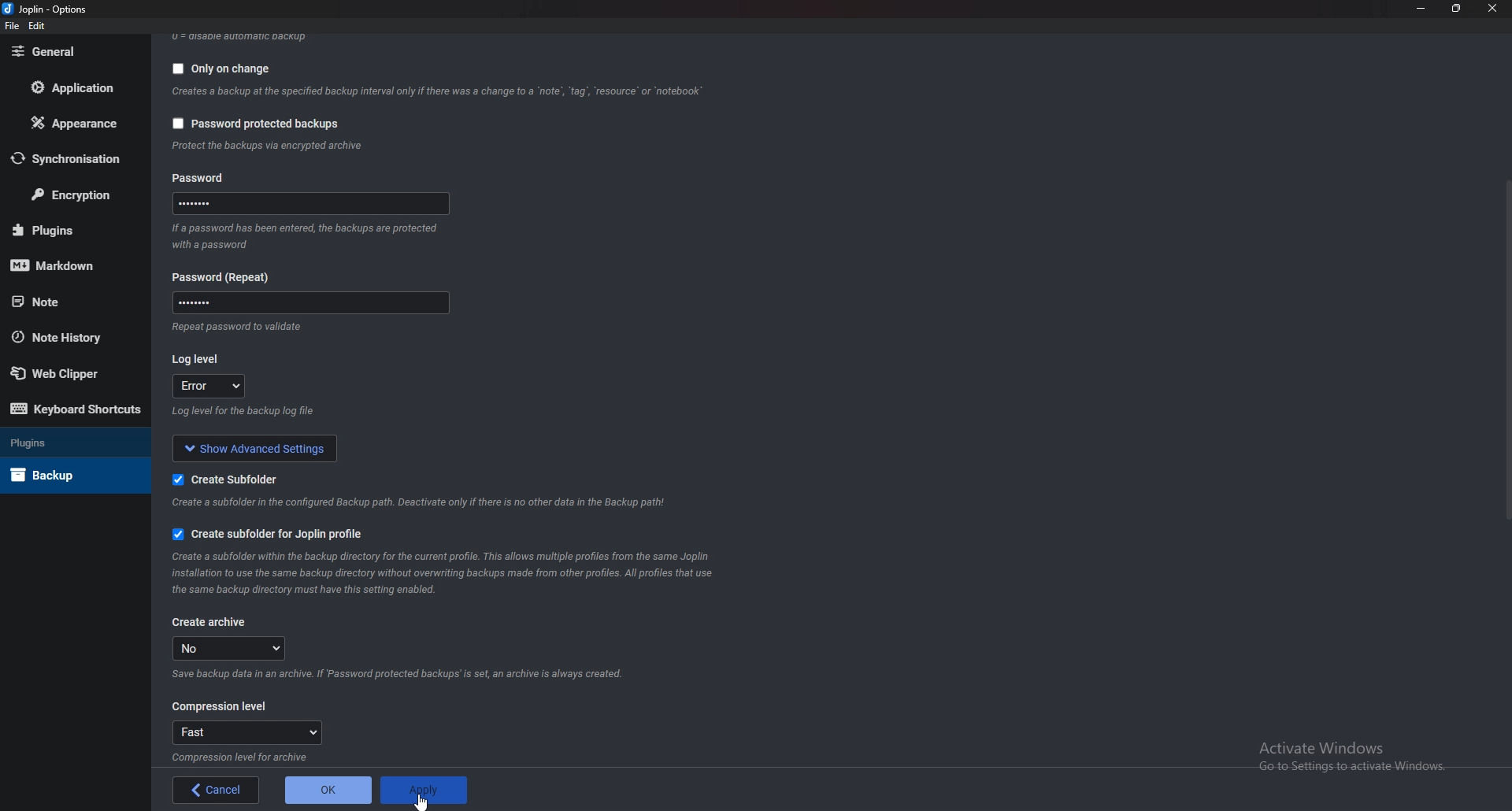 The width and height of the screenshot is (1512, 811). Describe the element at coordinates (230, 649) in the screenshot. I see `no` at that location.